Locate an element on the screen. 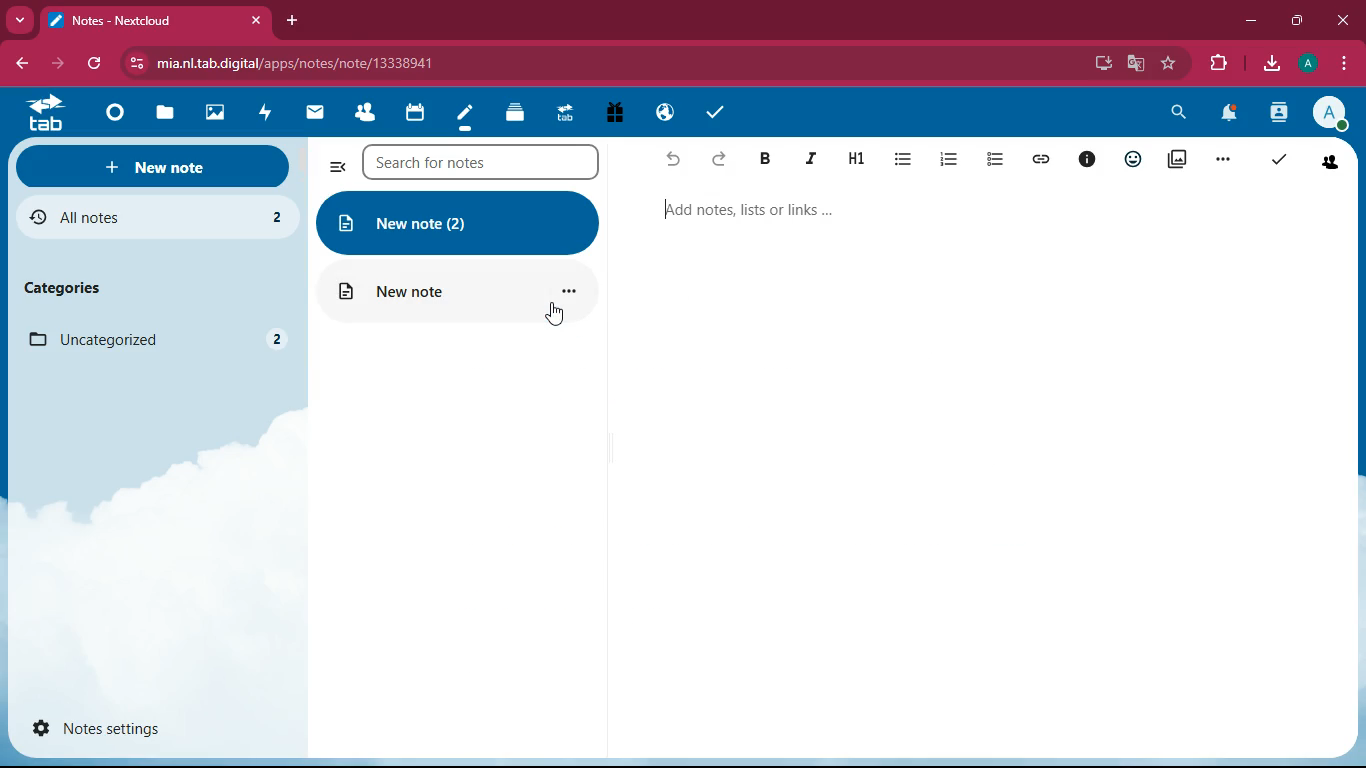 The image size is (1366, 768). check is located at coordinates (1278, 162).